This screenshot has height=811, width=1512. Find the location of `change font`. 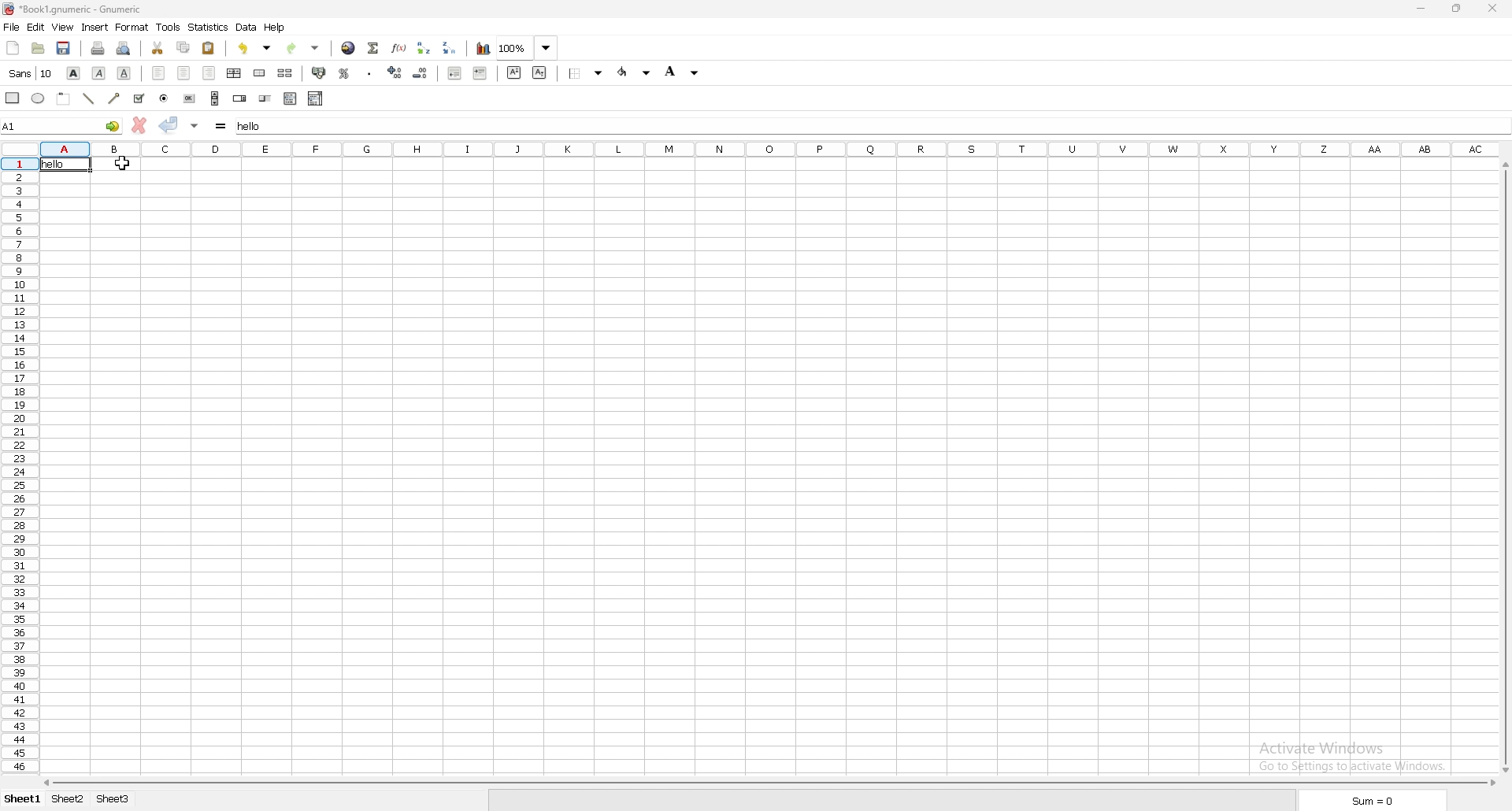

change font is located at coordinates (30, 73).